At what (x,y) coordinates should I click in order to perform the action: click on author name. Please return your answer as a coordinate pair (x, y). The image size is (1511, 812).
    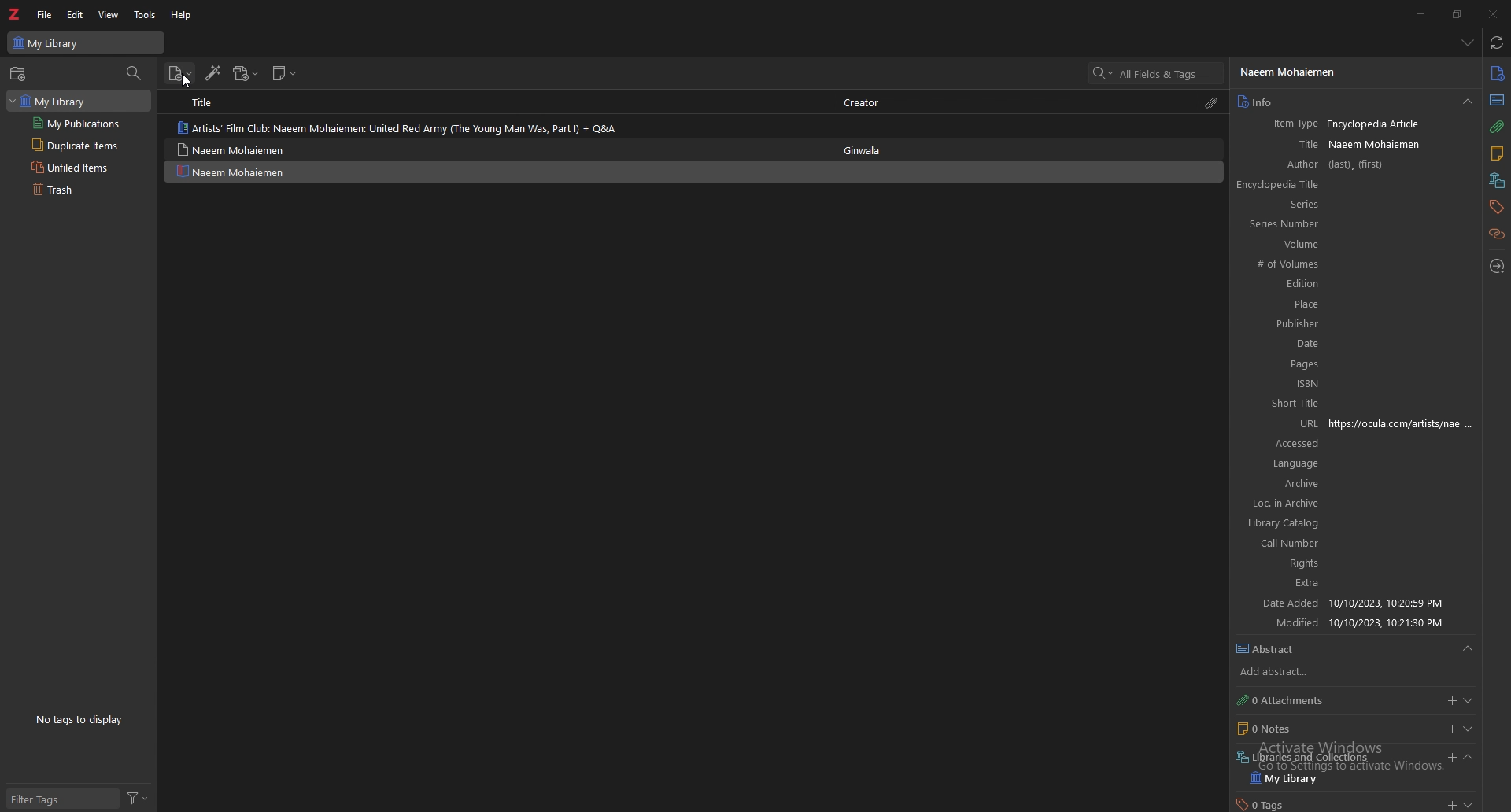
    Looking at the image, I should click on (1351, 72).